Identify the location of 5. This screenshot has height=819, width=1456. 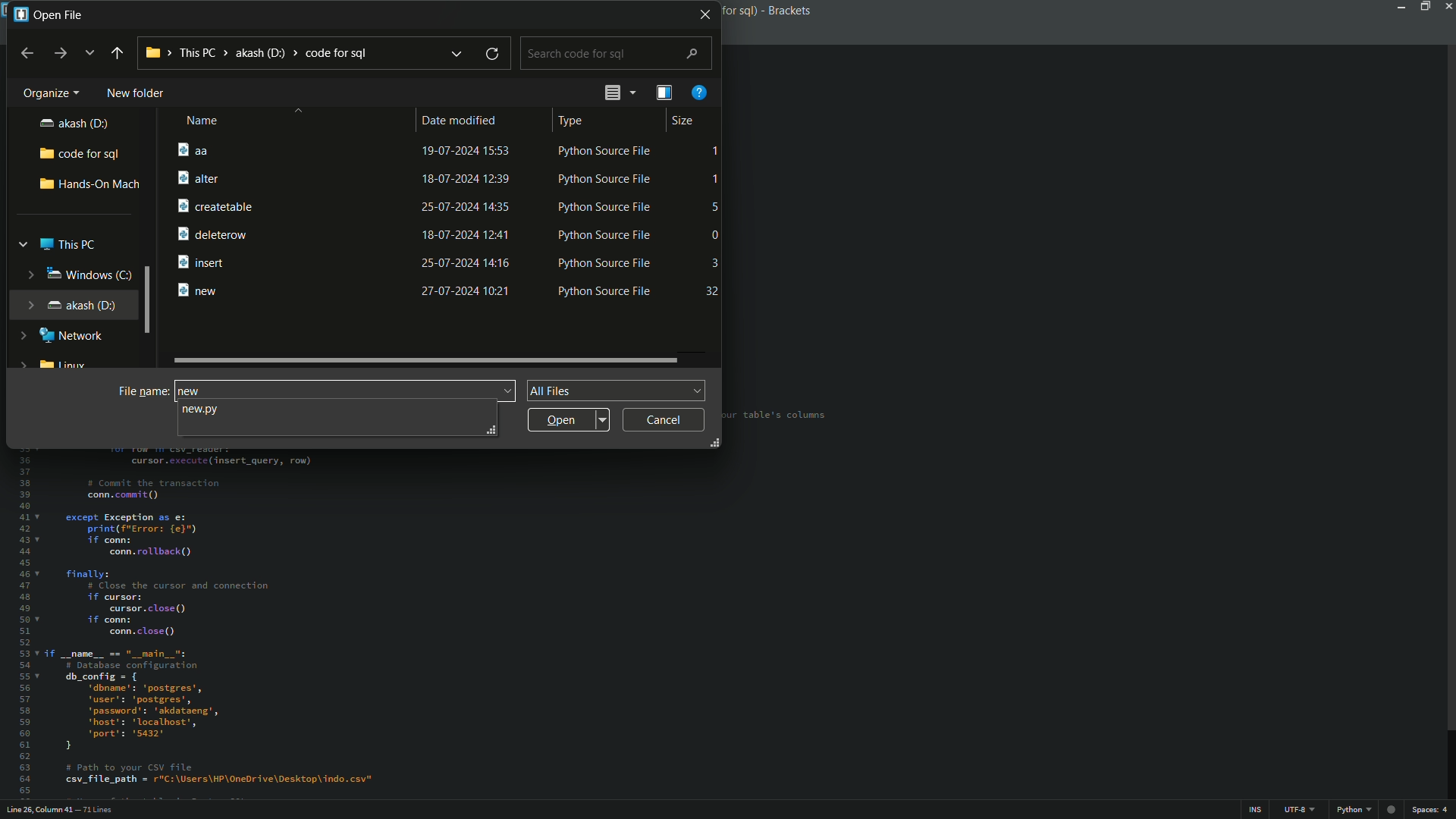
(714, 207).